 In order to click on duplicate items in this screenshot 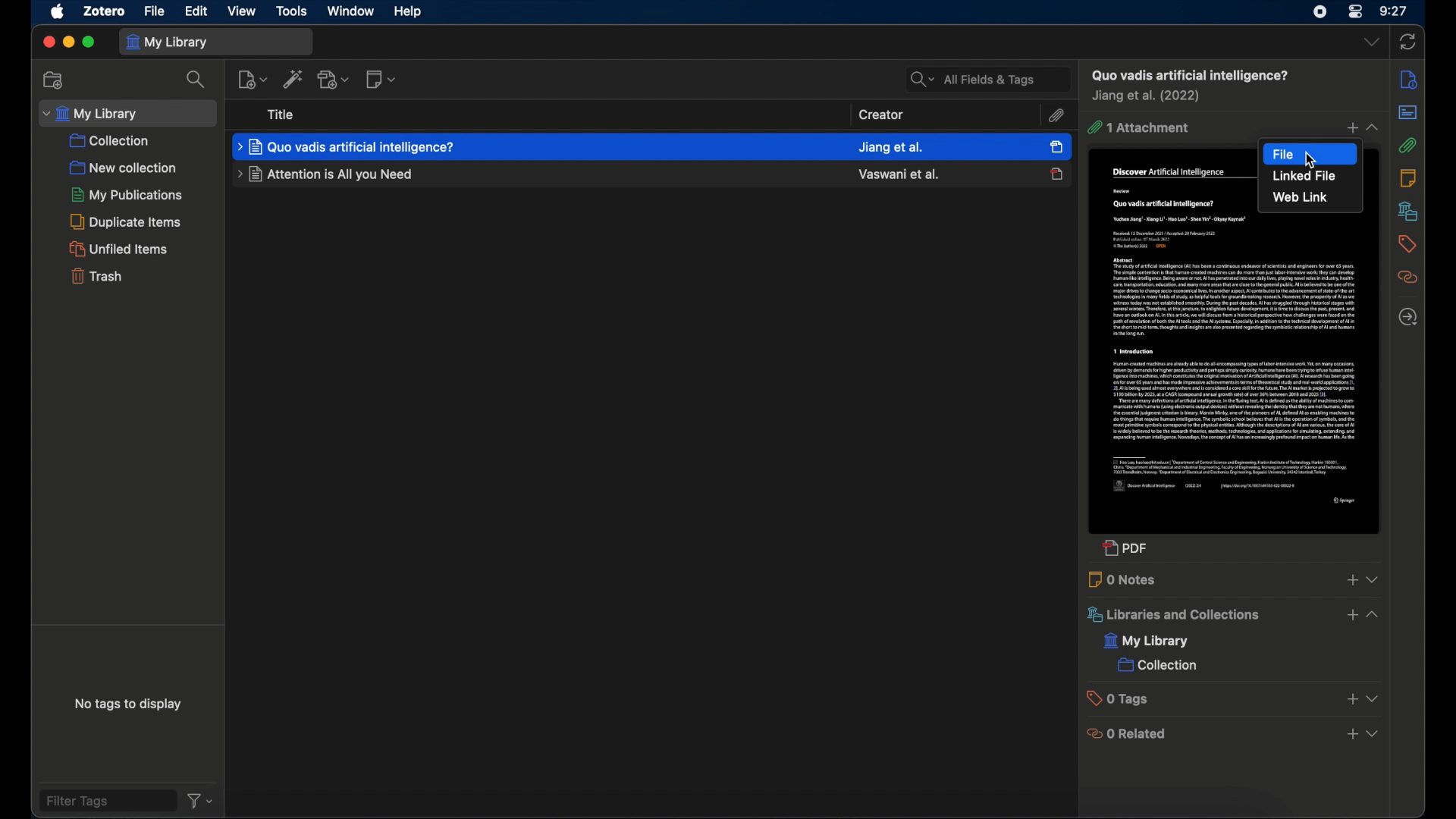, I will do `click(129, 221)`.